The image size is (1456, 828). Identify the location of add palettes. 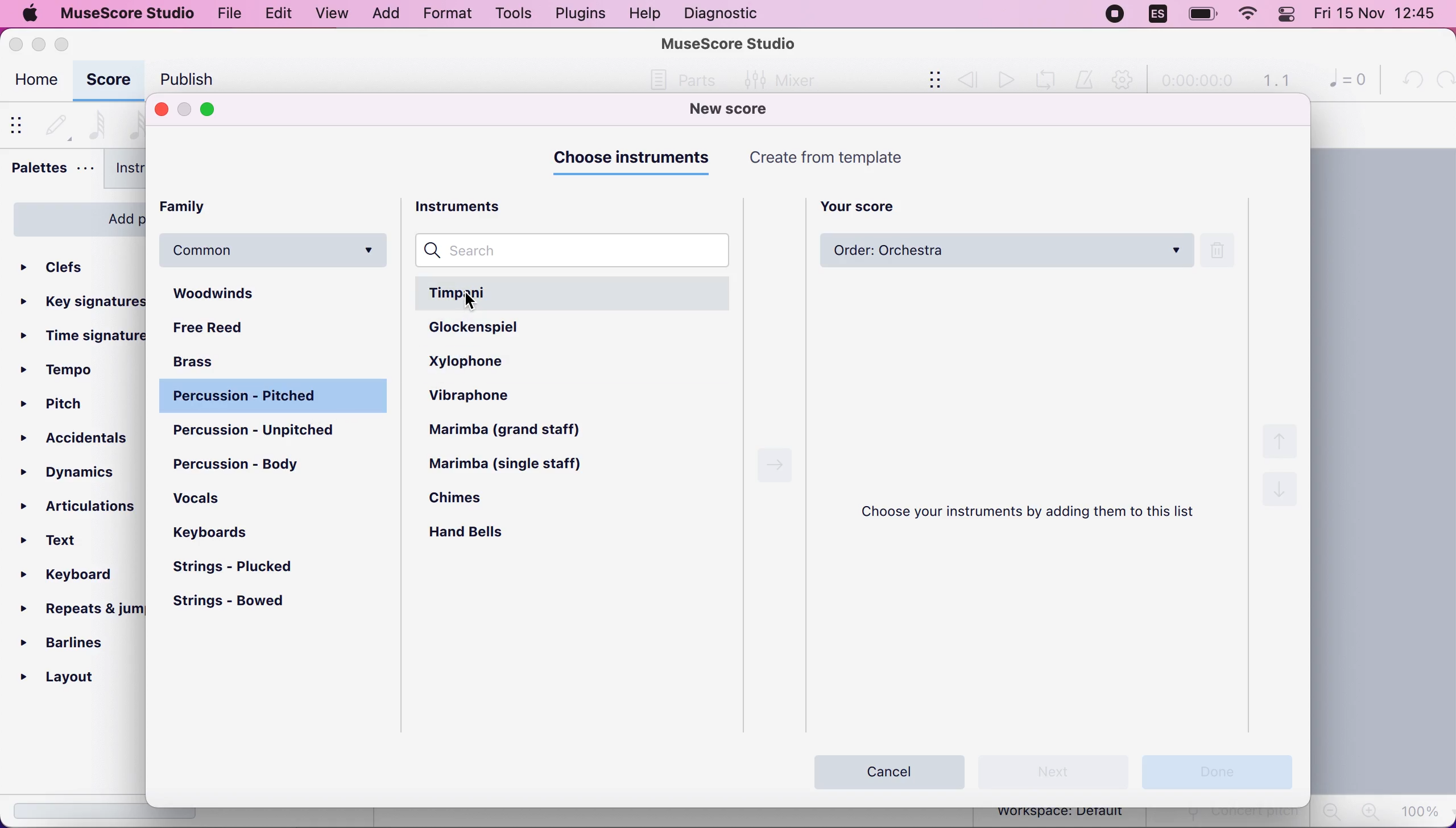
(74, 217).